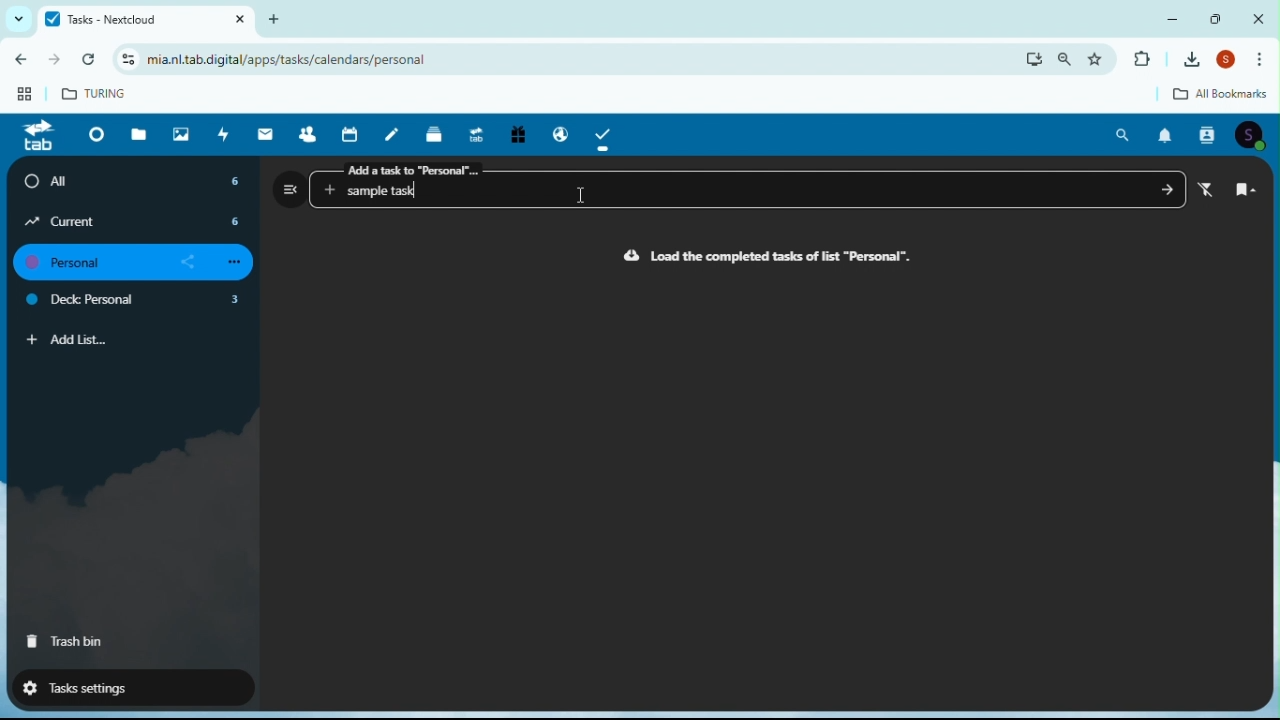 This screenshot has height=720, width=1280. I want to click on Change sort order, so click(1246, 191).